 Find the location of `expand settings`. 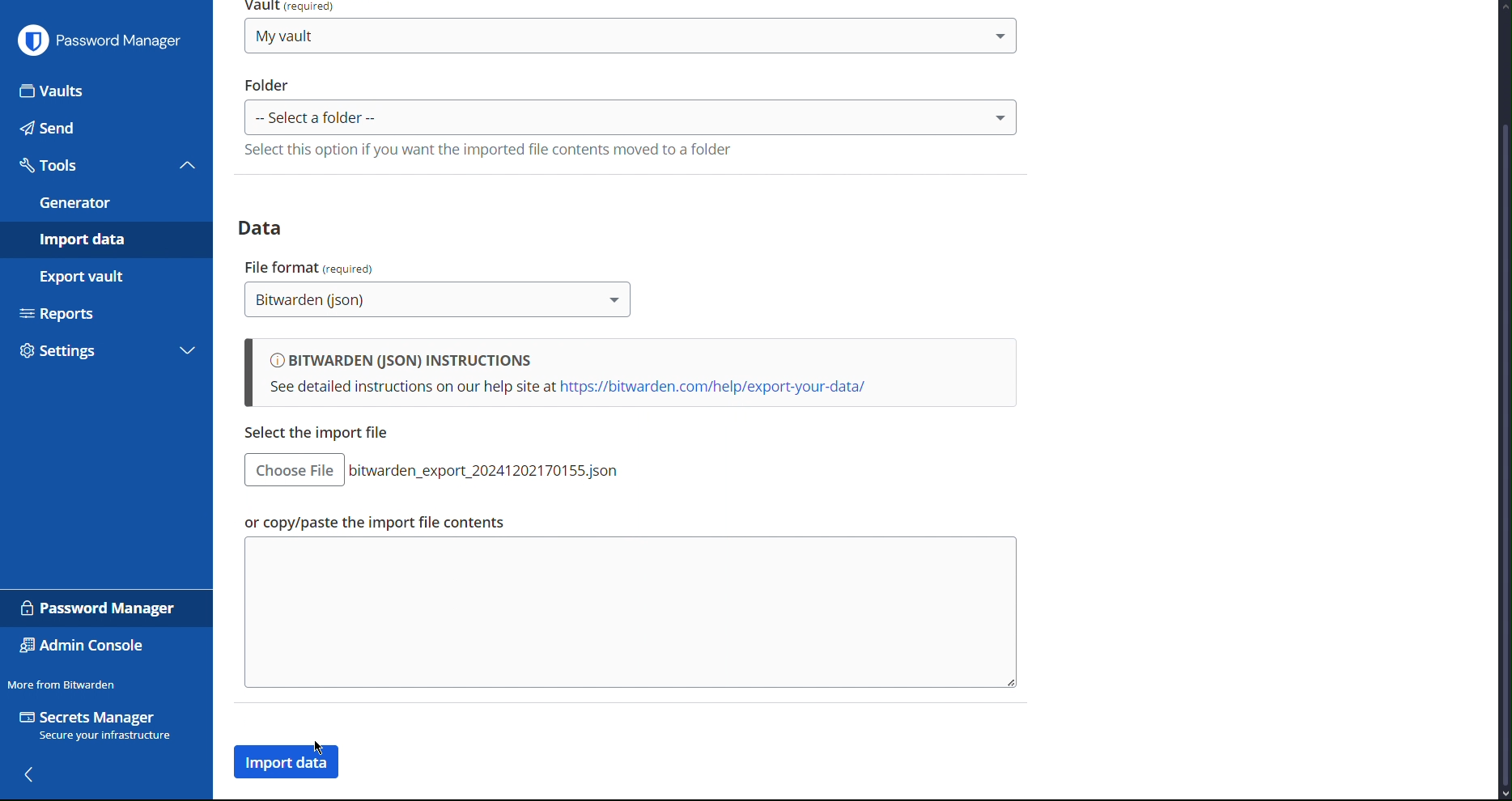

expand settings is located at coordinates (188, 353).